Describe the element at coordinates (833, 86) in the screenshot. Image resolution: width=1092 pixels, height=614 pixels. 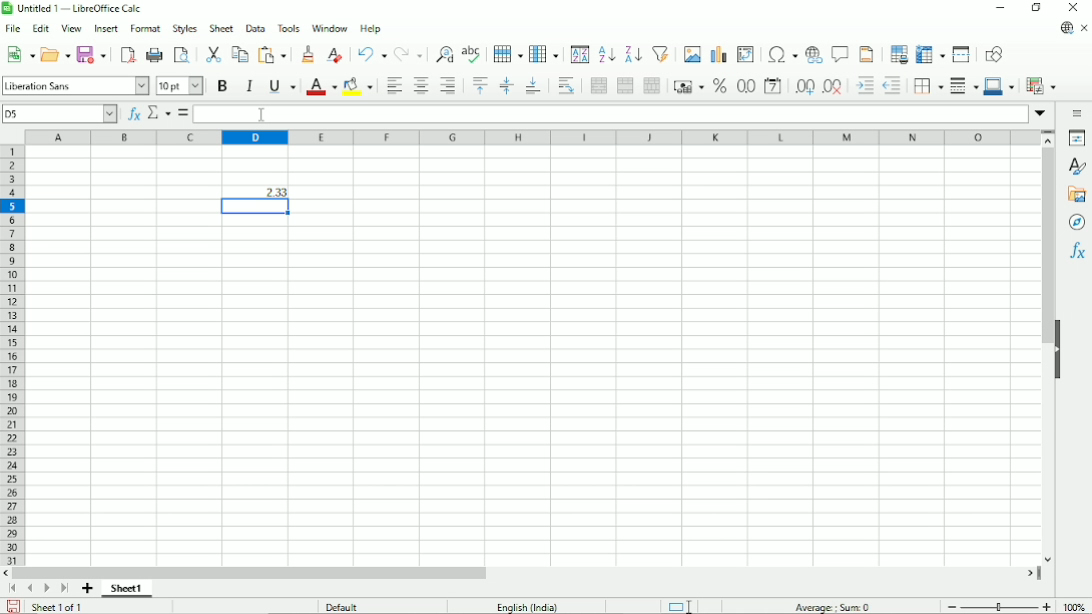
I see `Delete decimal place` at that location.